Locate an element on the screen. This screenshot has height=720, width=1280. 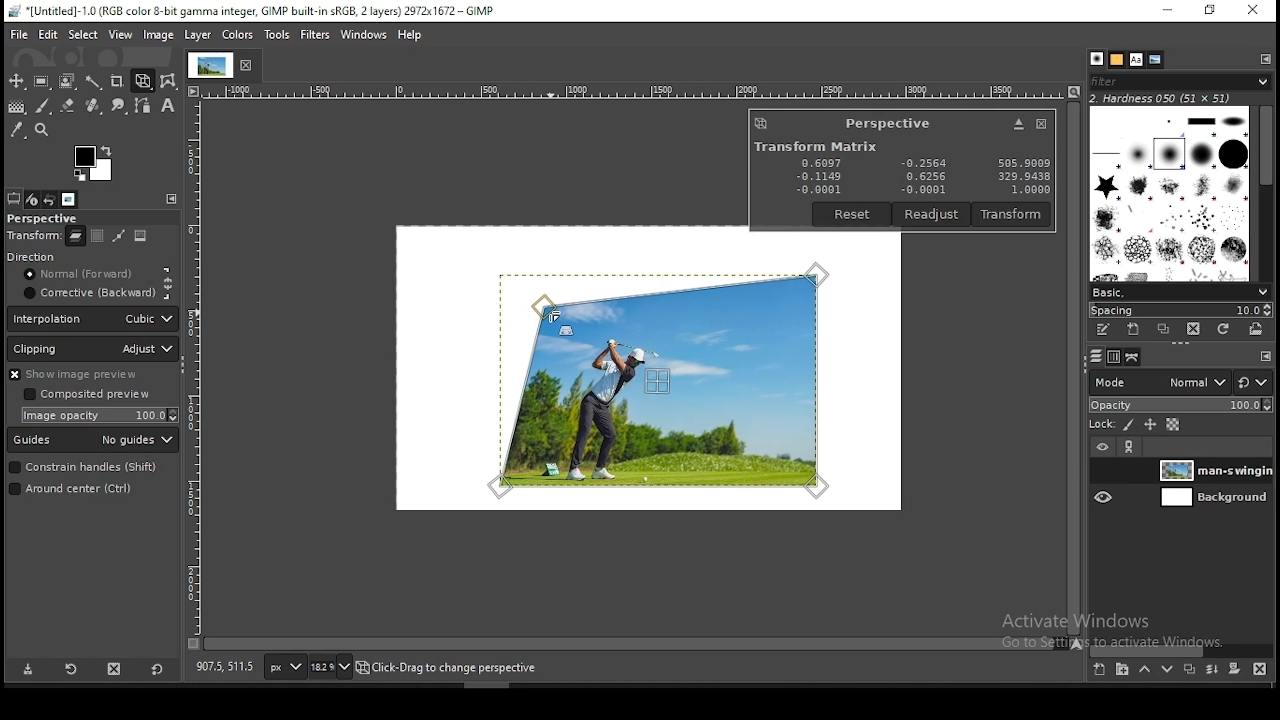
rectangular selection tool is located at coordinates (44, 82).